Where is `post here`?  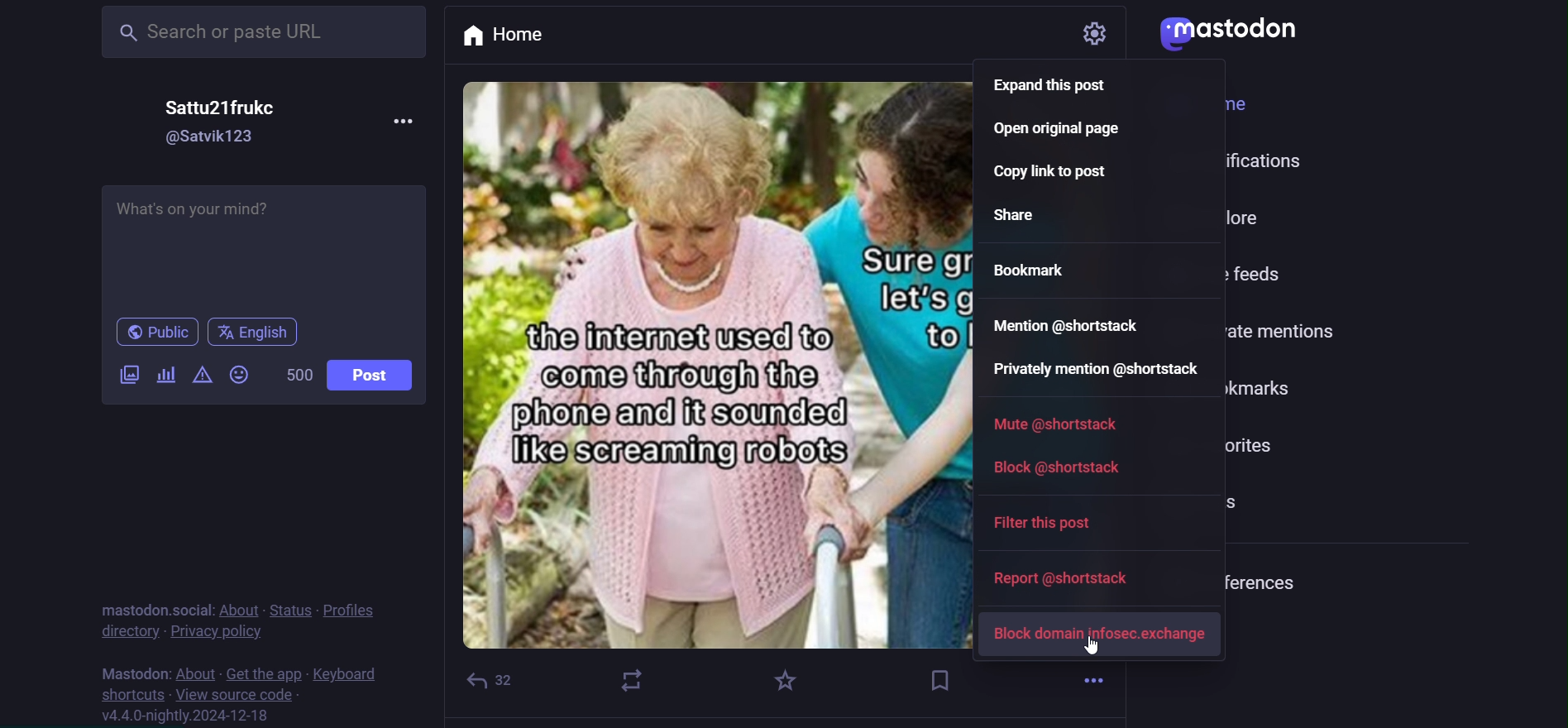 post here is located at coordinates (264, 246).